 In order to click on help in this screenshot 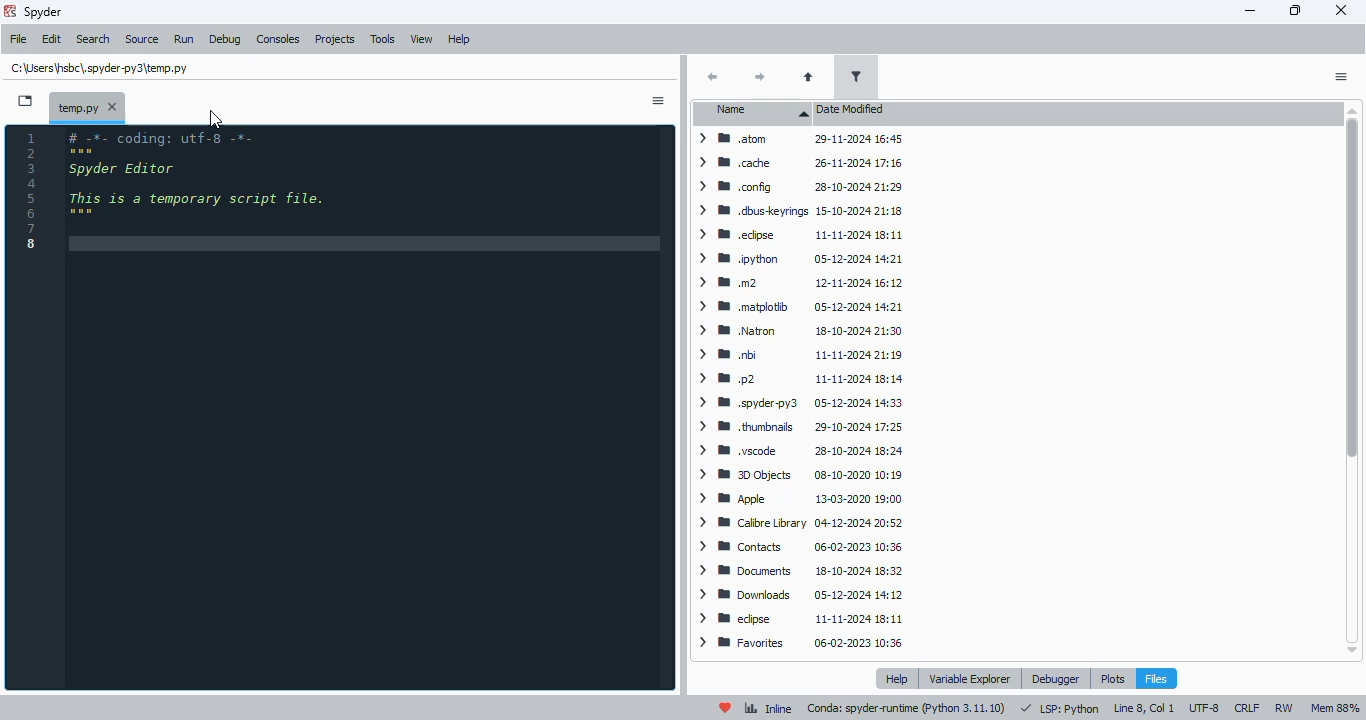, I will do `click(896, 679)`.